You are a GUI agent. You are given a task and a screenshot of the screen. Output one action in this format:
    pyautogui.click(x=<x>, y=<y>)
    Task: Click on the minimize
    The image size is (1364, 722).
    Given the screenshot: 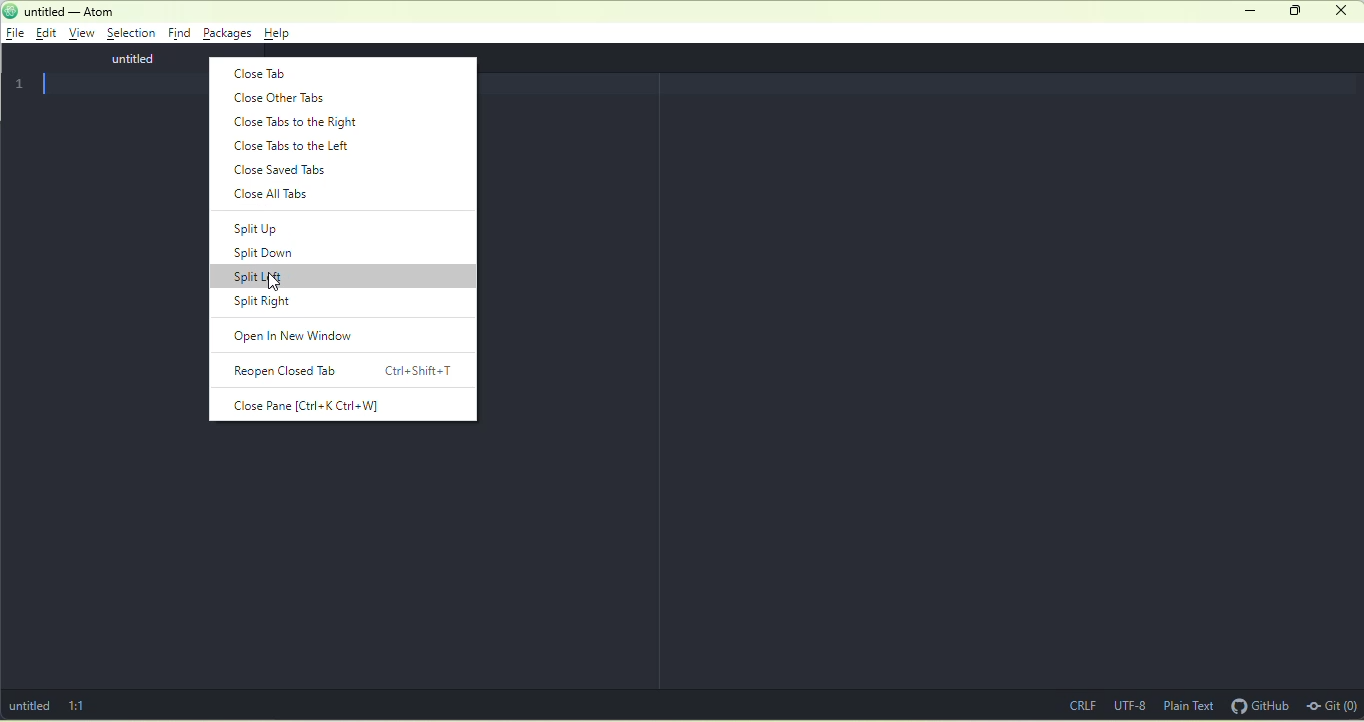 What is the action you would take?
    pyautogui.click(x=1251, y=11)
    